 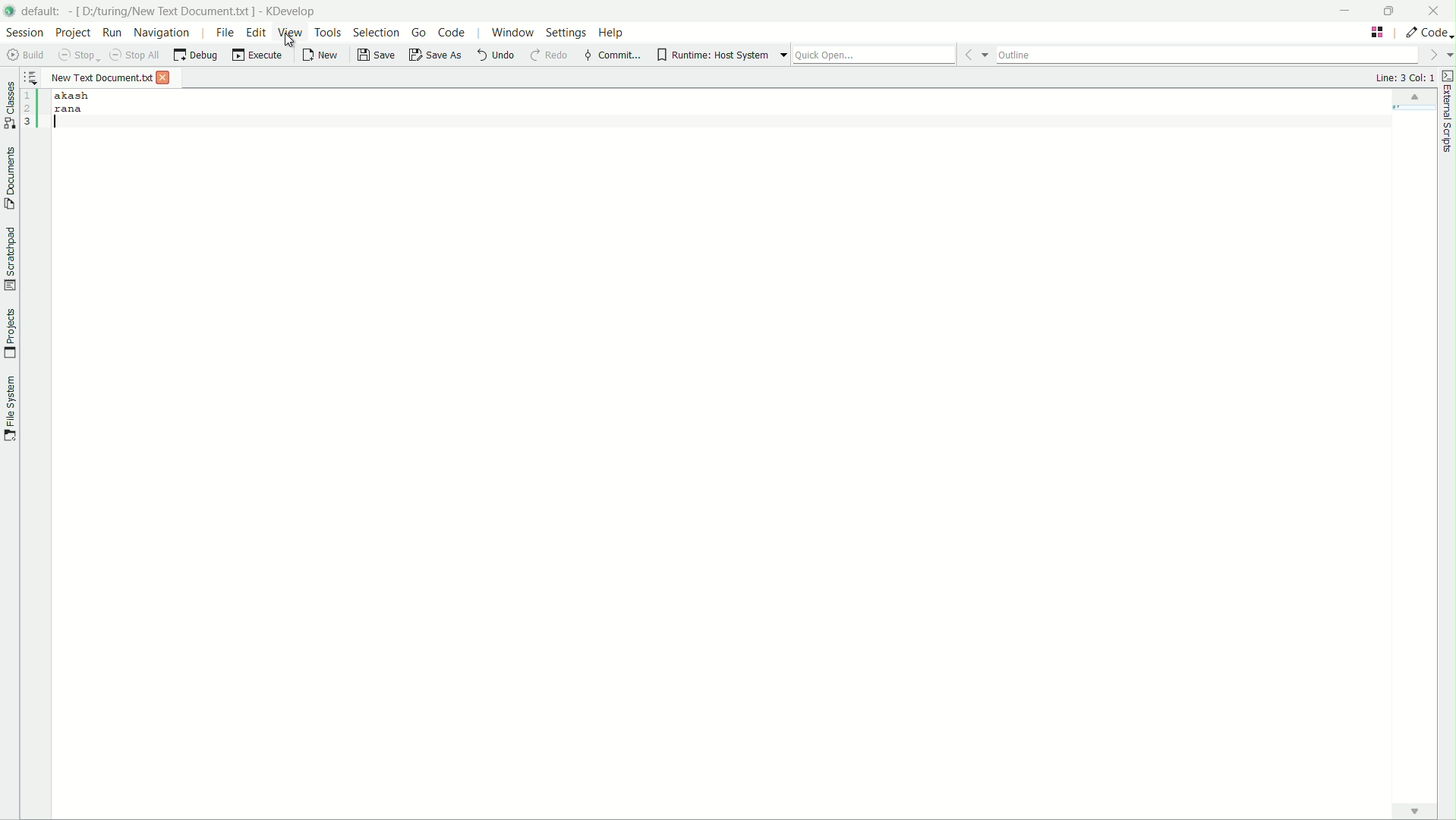 What do you see at coordinates (328, 32) in the screenshot?
I see `tools menu` at bounding box center [328, 32].